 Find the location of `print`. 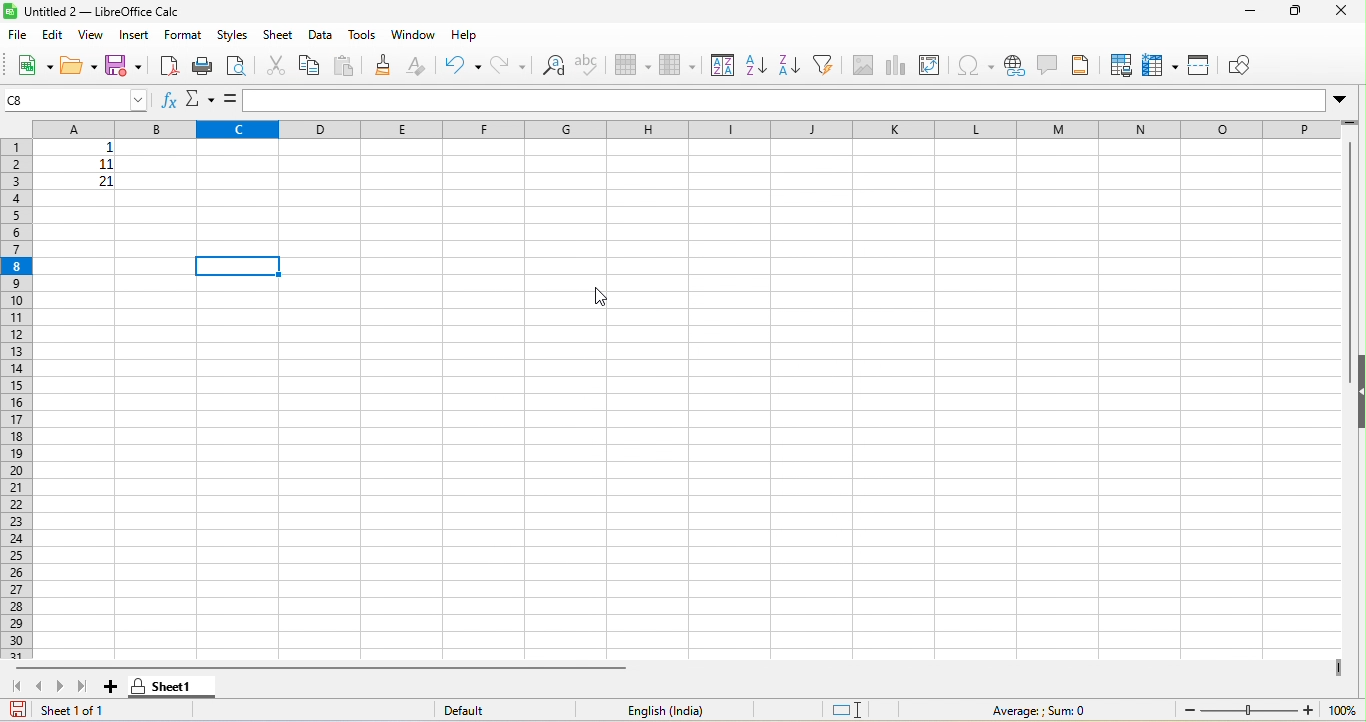

print is located at coordinates (203, 64).